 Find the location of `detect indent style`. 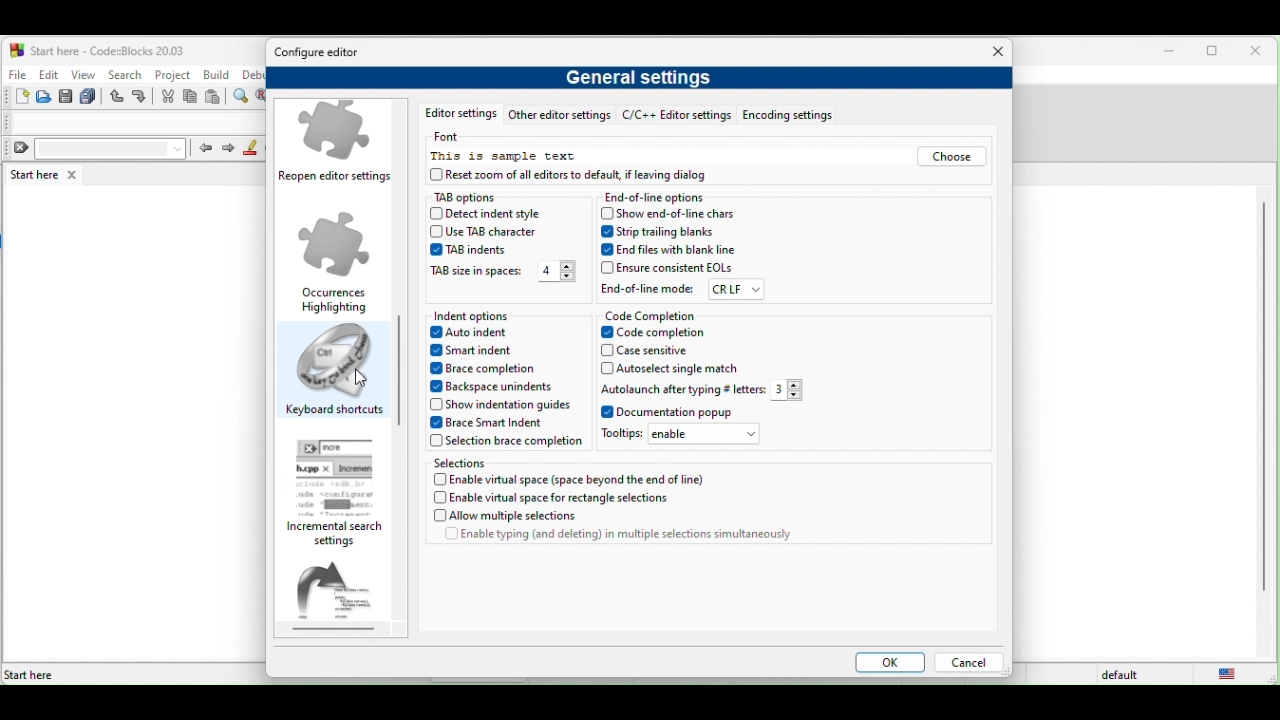

detect indent style is located at coordinates (504, 215).